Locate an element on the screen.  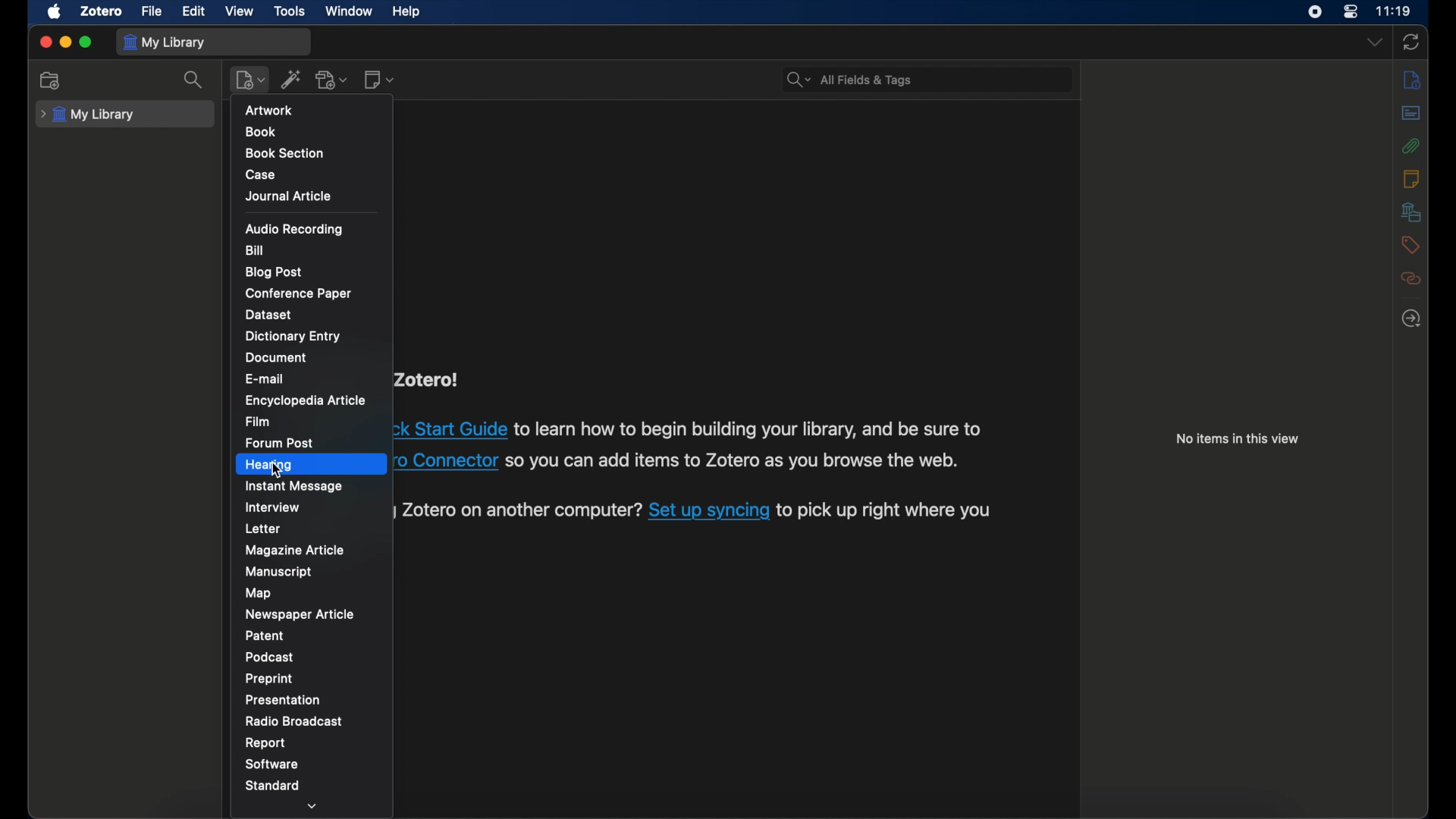
attachments is located at coordinates (1411, 146).